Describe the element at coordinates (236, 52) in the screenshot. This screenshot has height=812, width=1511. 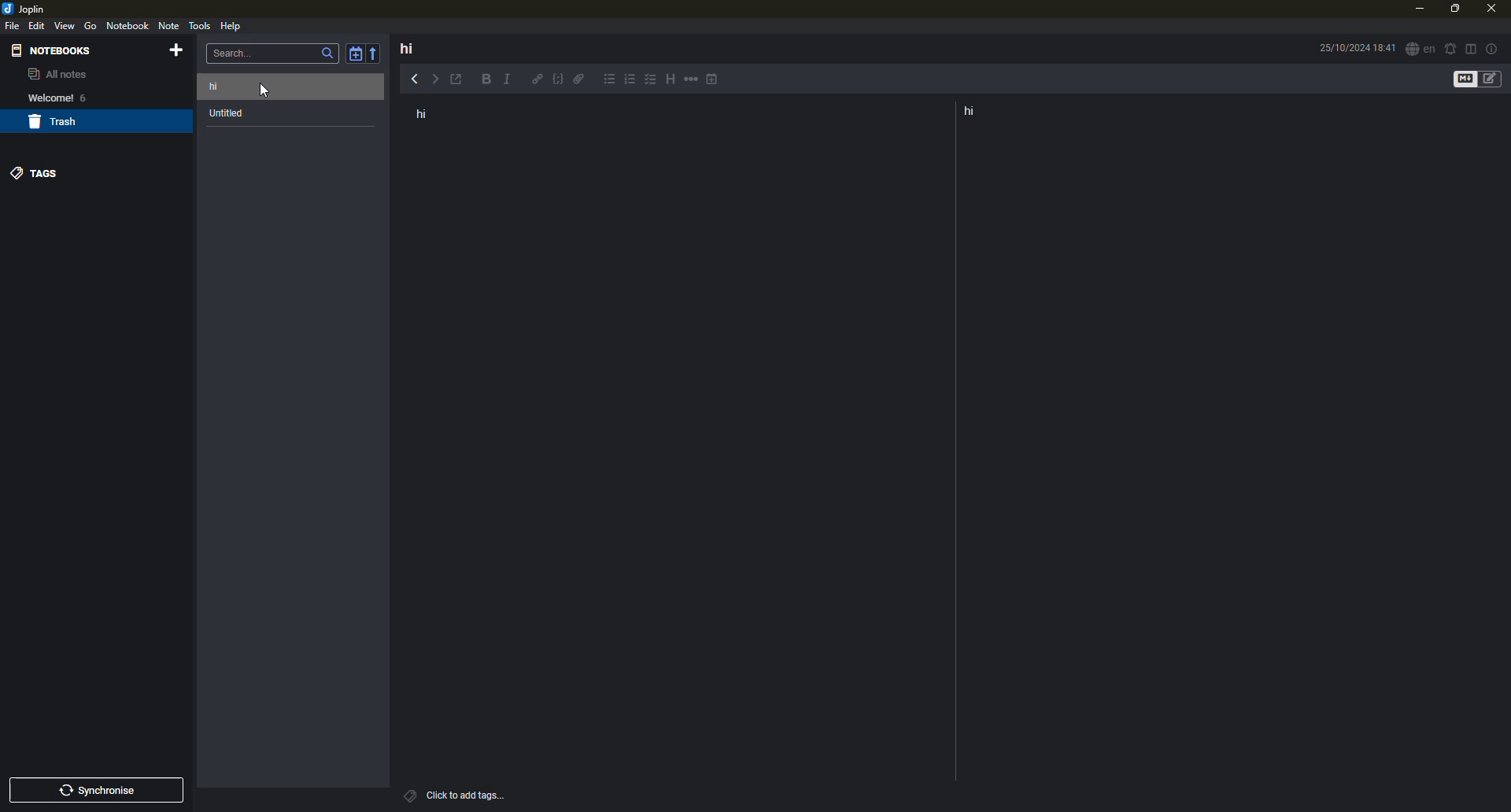
I see `search` at that location.